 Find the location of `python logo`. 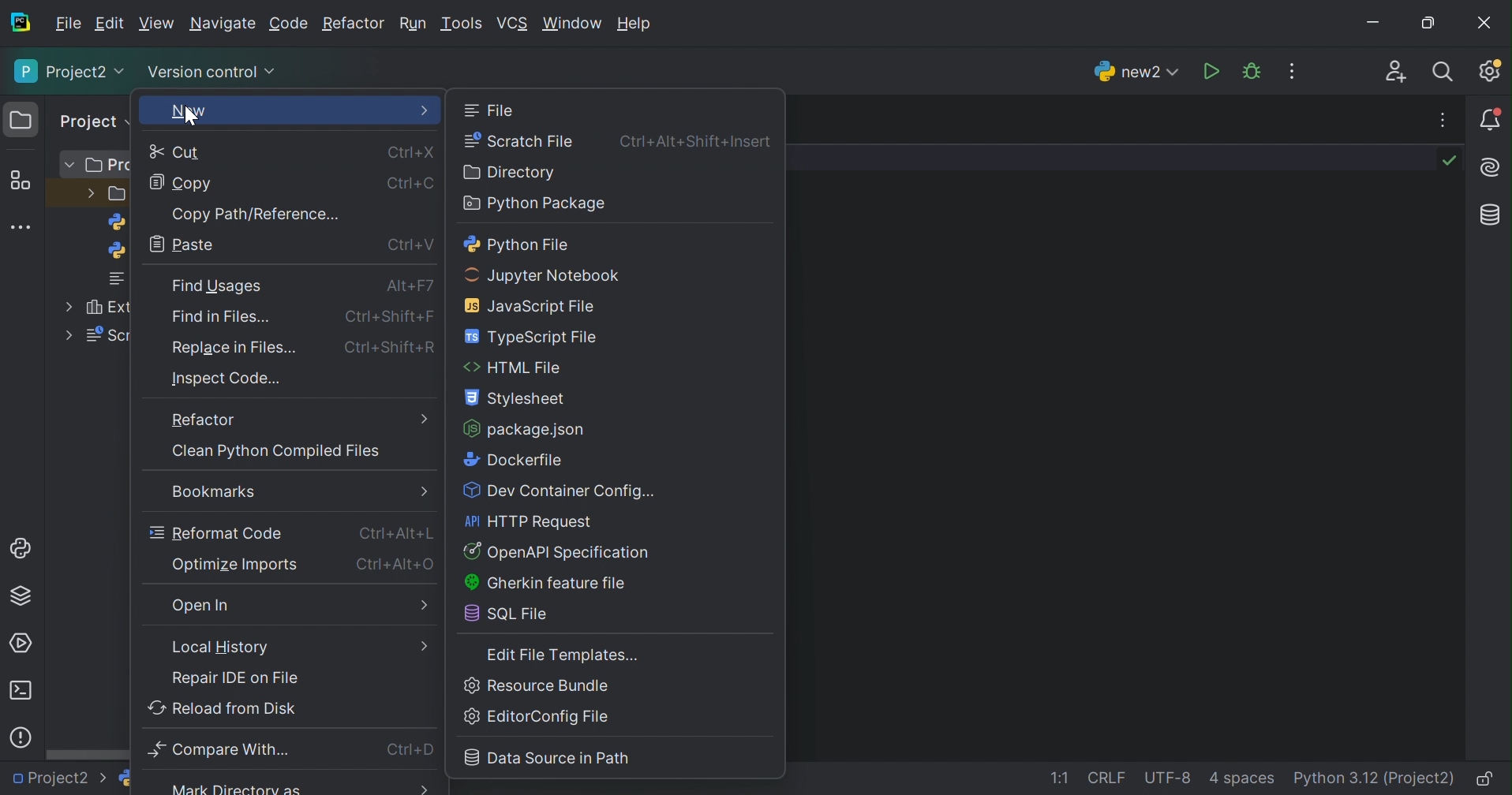

python logo is located at coordinates (118, 253).